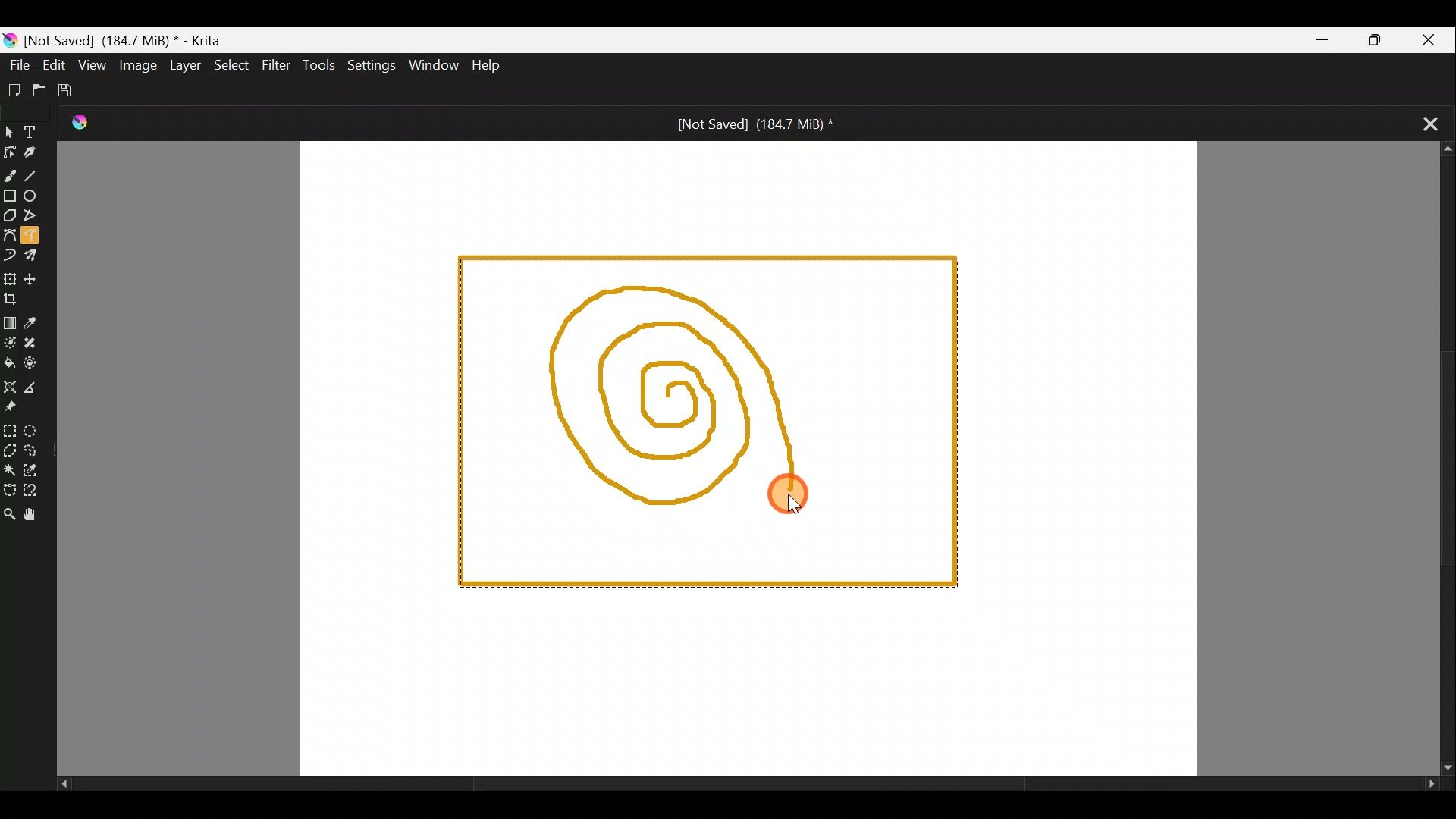  Describe the element at coordinates (231, 66) in the screenshot. I see `Select` at that location.